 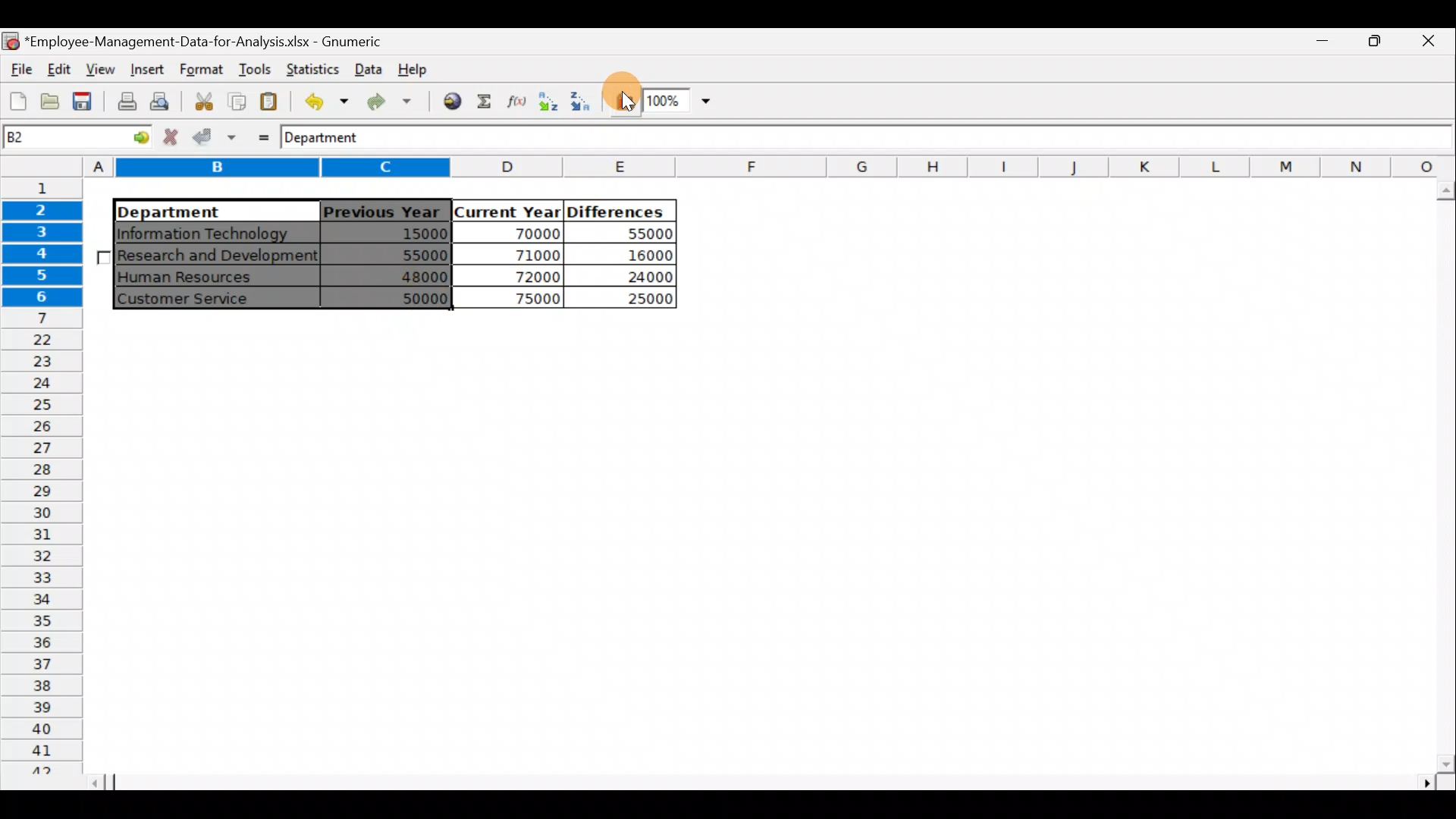 What do you see at coordinates (1376, 46) in the screenshot?
I see `Minimize` at bounding box center [1376, 46].